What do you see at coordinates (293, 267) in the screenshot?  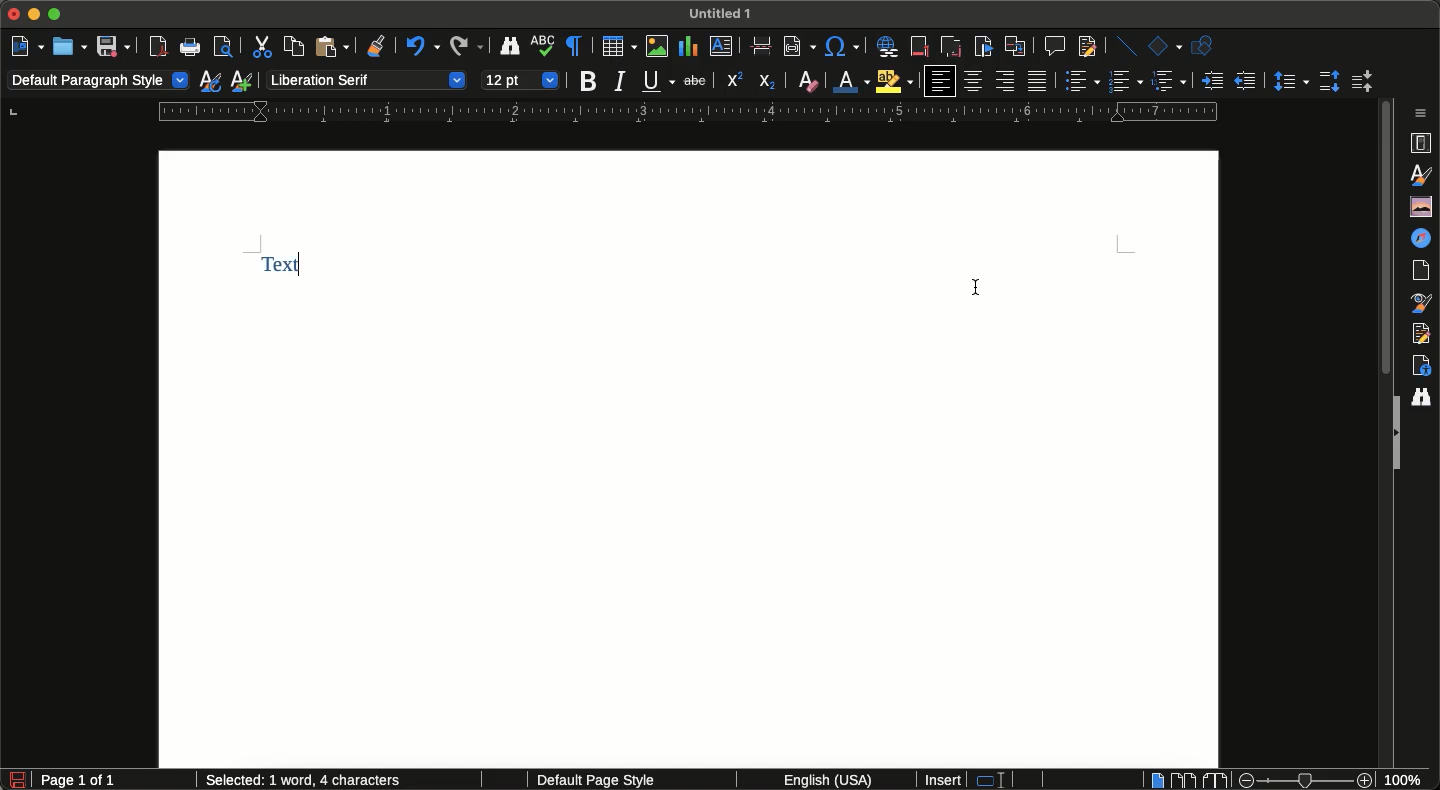 I see `Text in blue font color` at bounding box center [293, 267].